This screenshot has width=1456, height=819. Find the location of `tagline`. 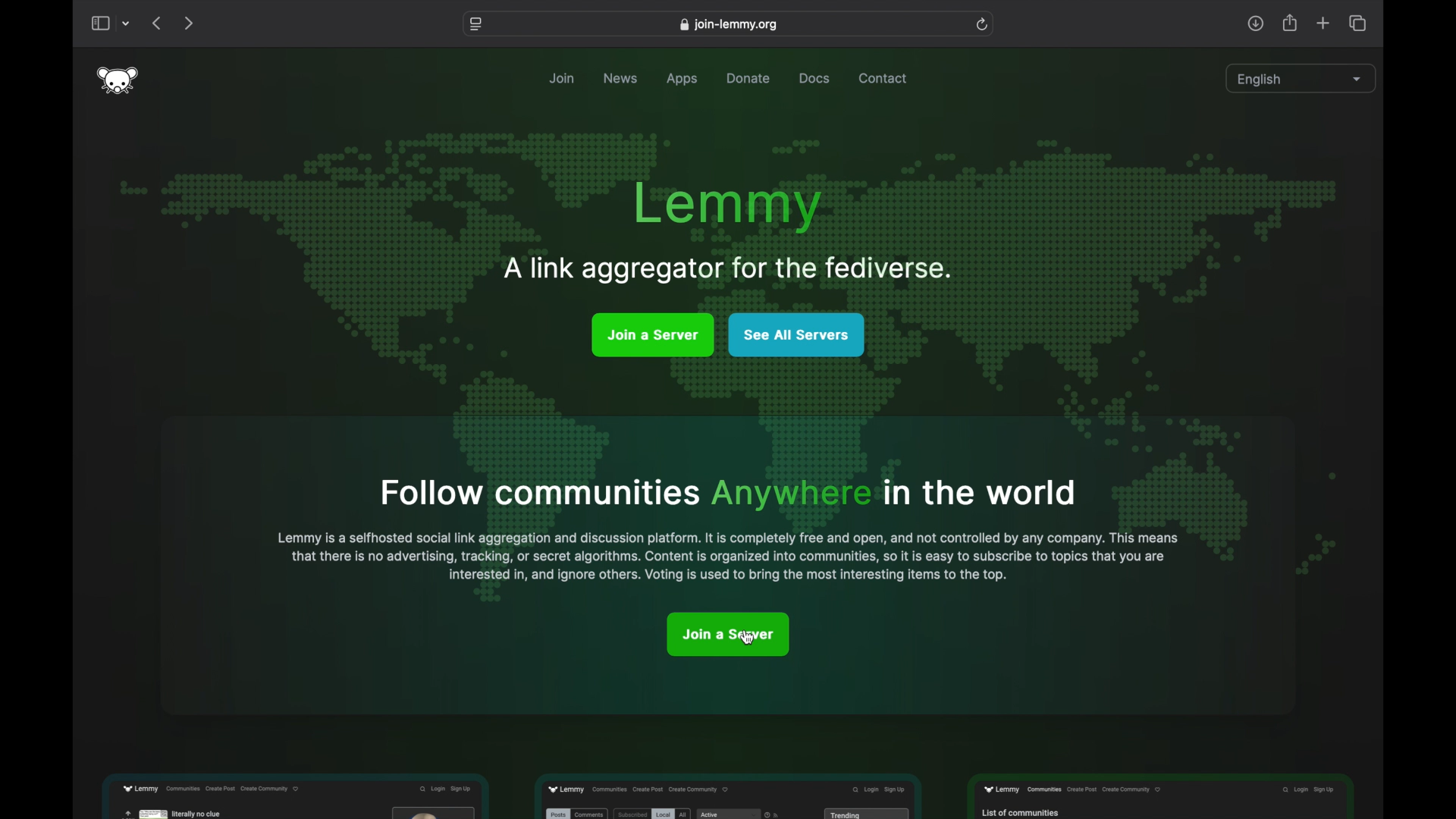

tagline is located at coordinates (726, 270).